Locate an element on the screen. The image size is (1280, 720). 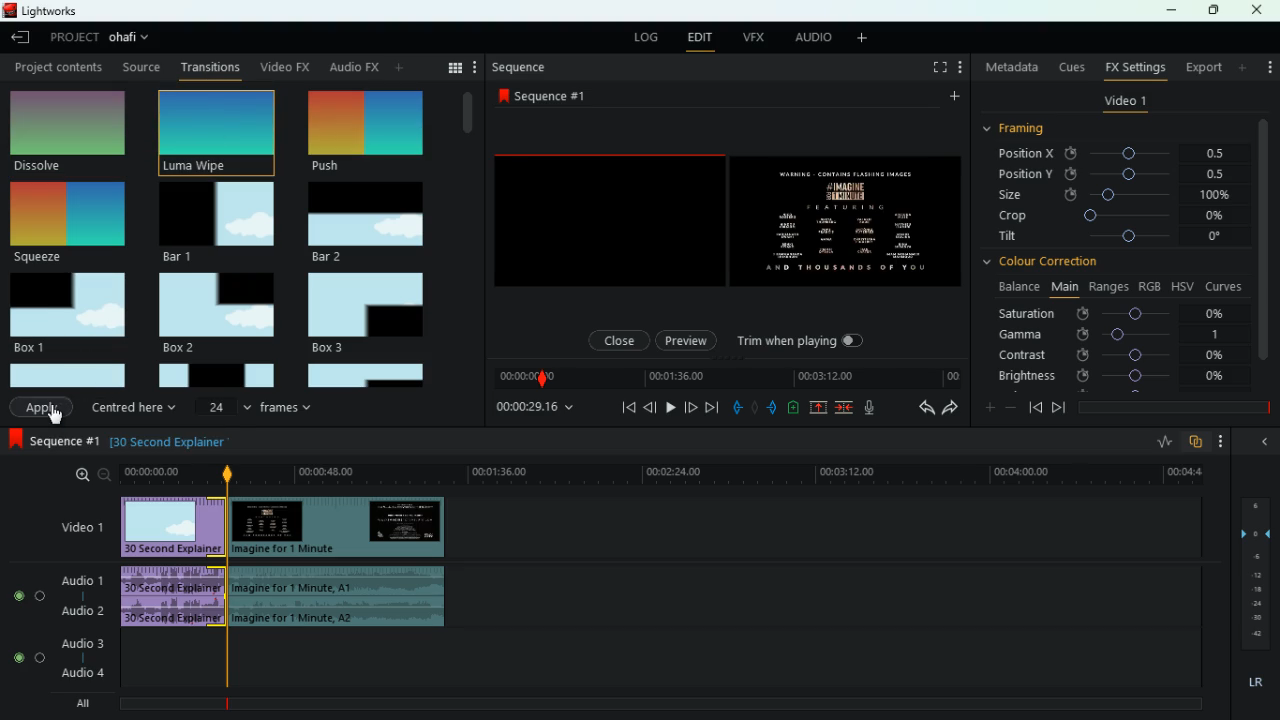
hsv is located at coordinates (1181, 285).